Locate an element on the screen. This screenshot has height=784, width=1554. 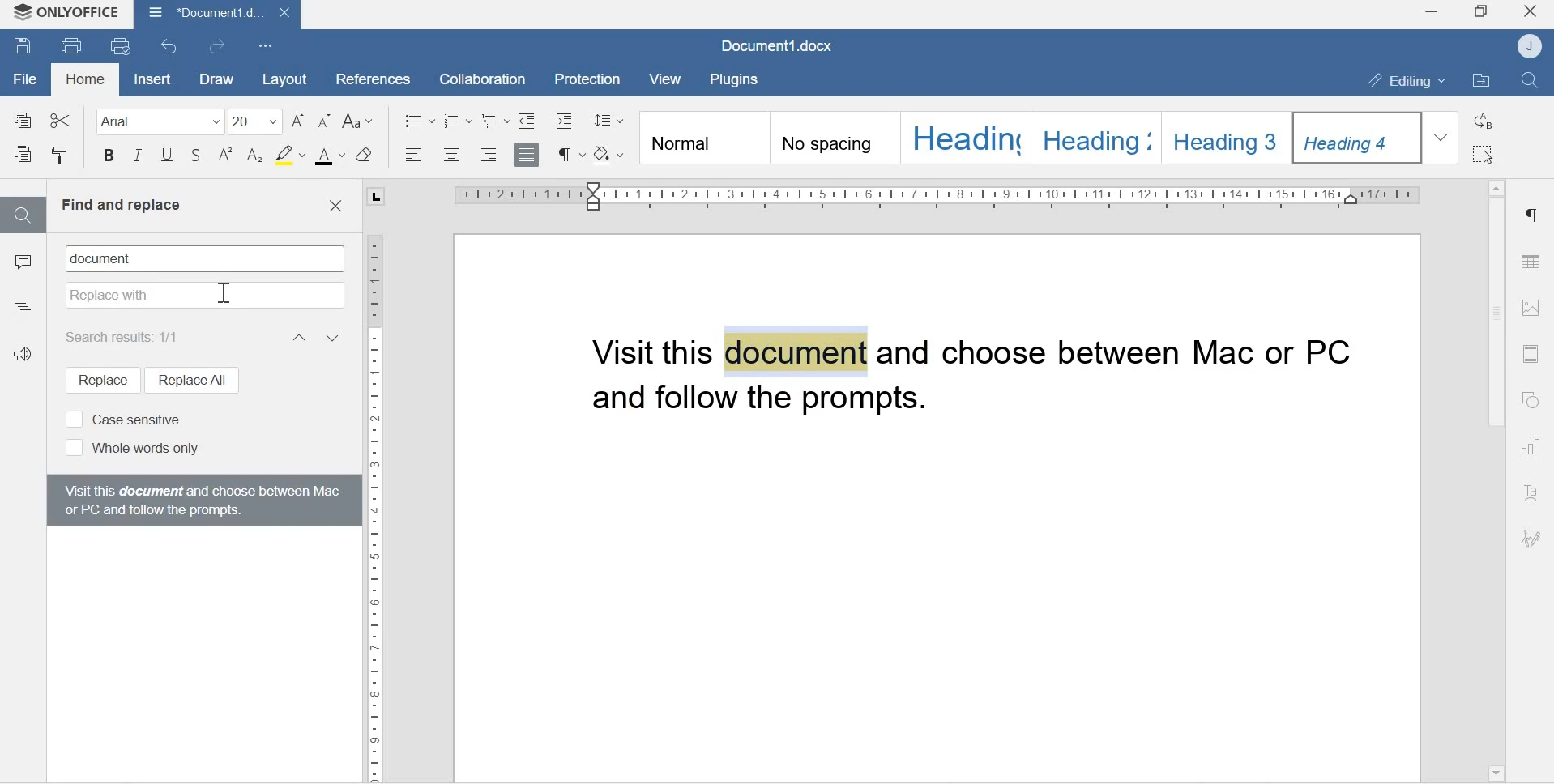
Layout is located at coordinates (283, 79).